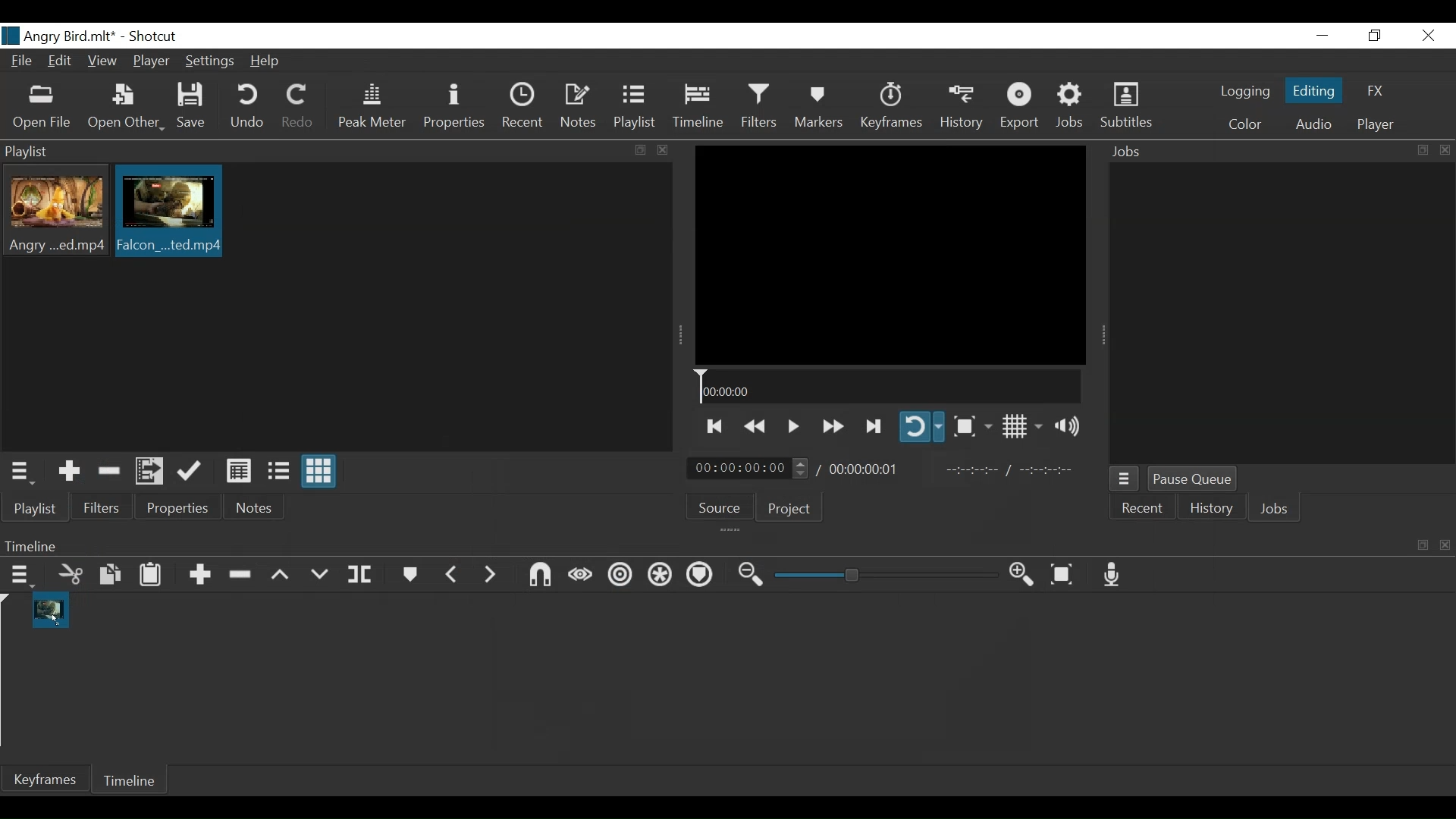 The image size is (1456, 819). Describe the element at coordinates (278, 472) in the screenshot. I see `View as files` at that location.